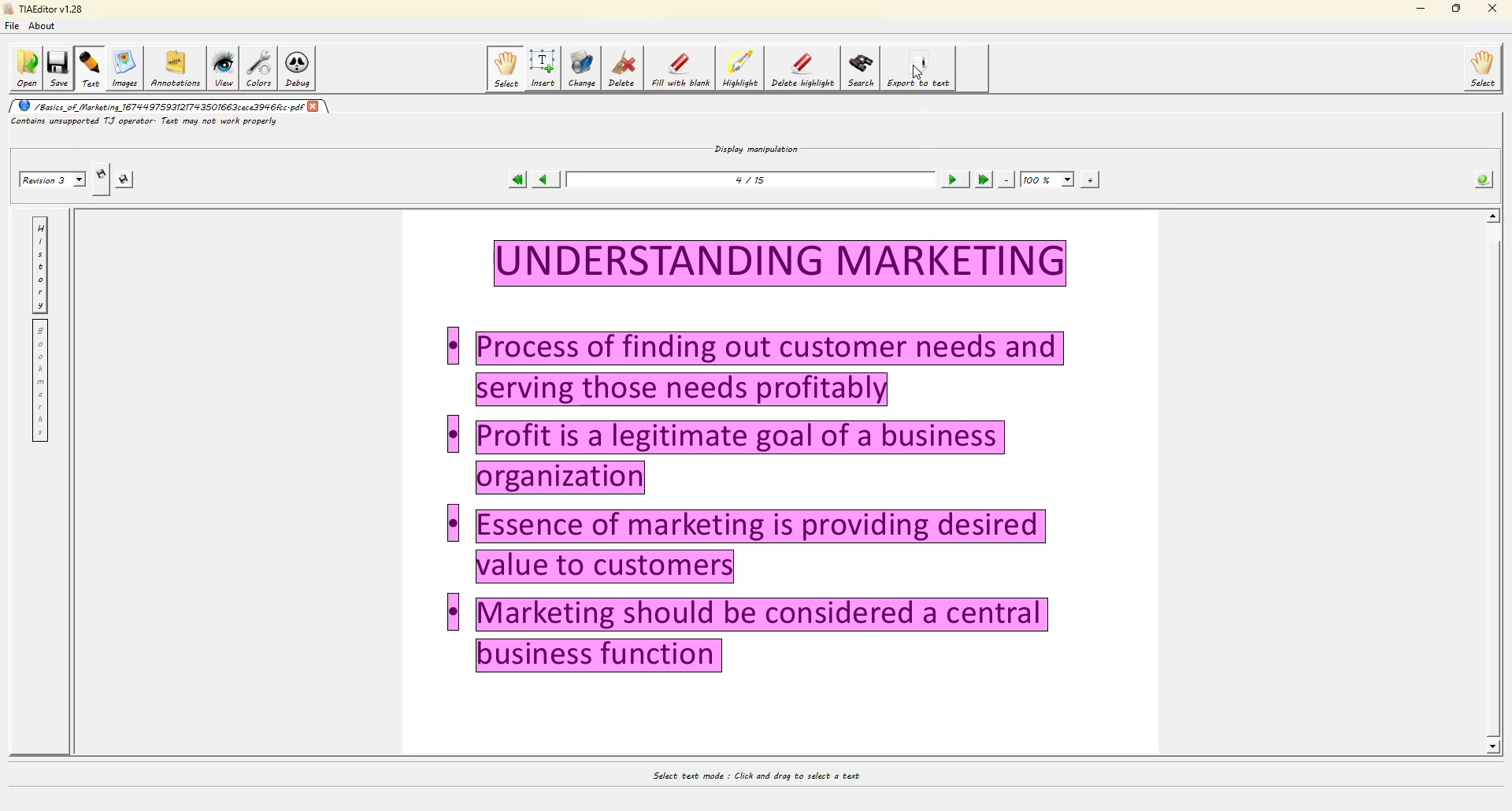 Image resolution: width=1512 pixels, height=811 pixels. What do you see at coordinates (502, 67) in the screenshot?
I see `select` at bounding box center [502, 67].